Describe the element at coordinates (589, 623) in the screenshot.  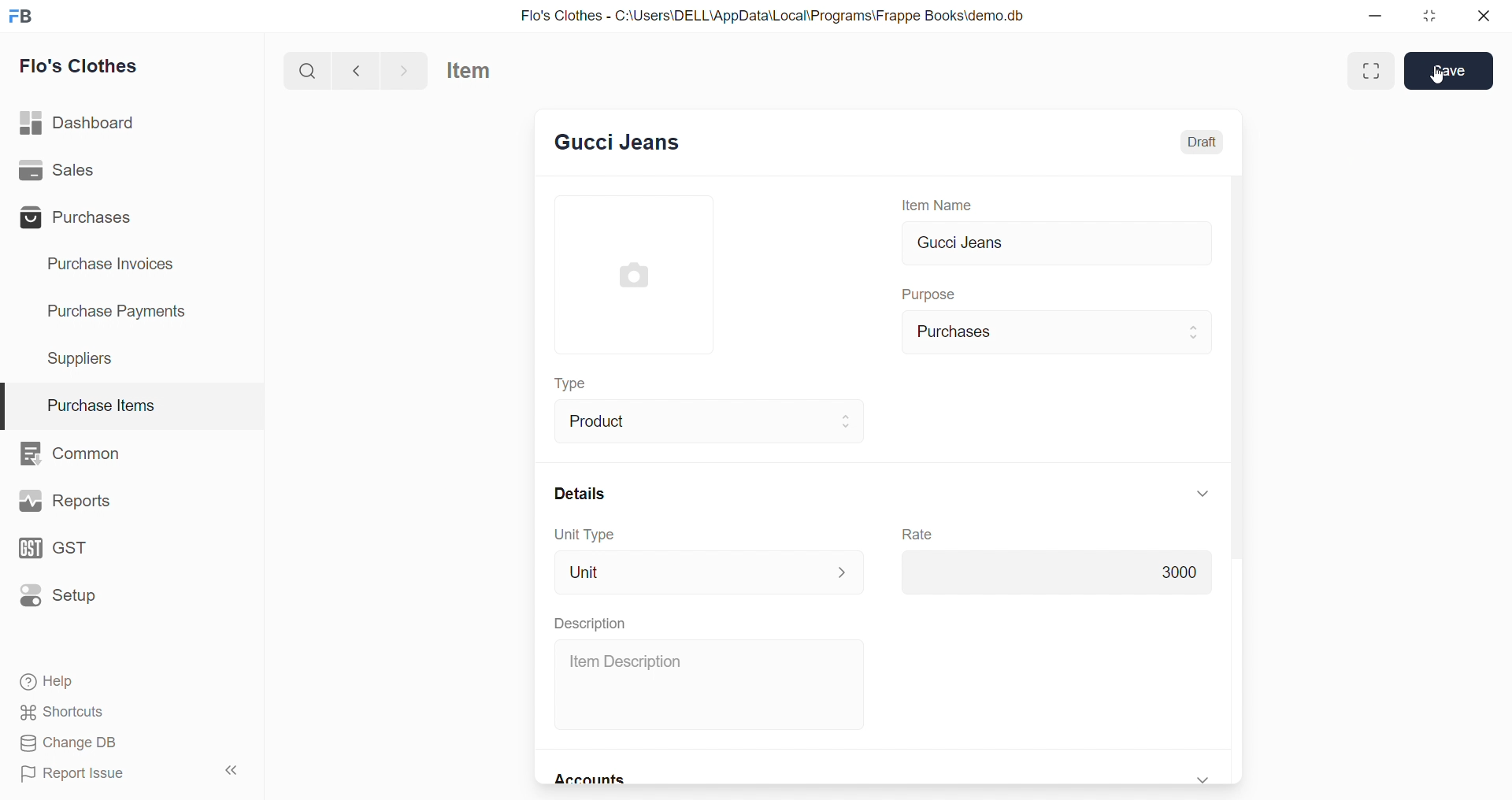
I see `Description` at that location.